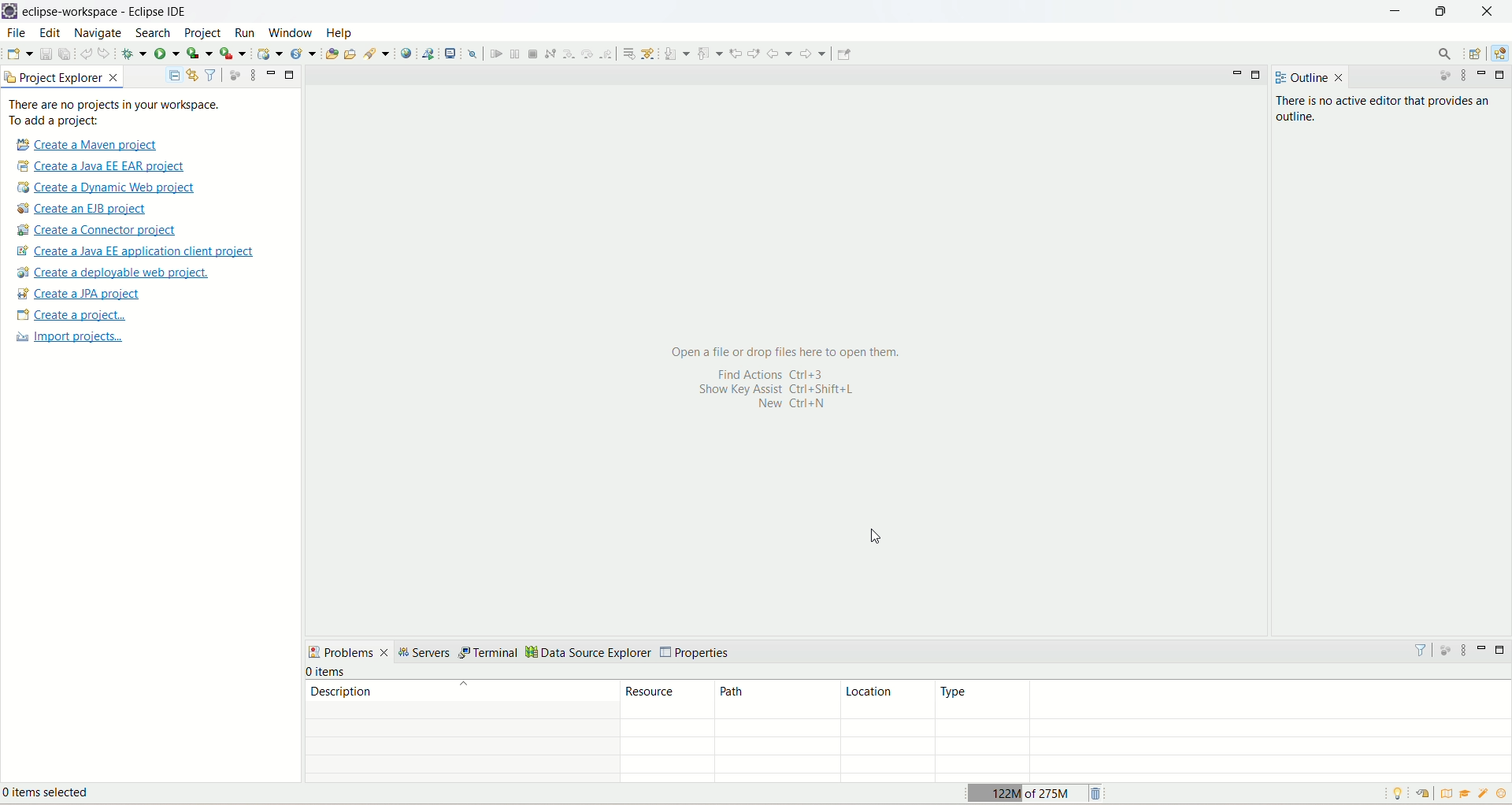  I want to click on tip of the day, so click(1502, 793).